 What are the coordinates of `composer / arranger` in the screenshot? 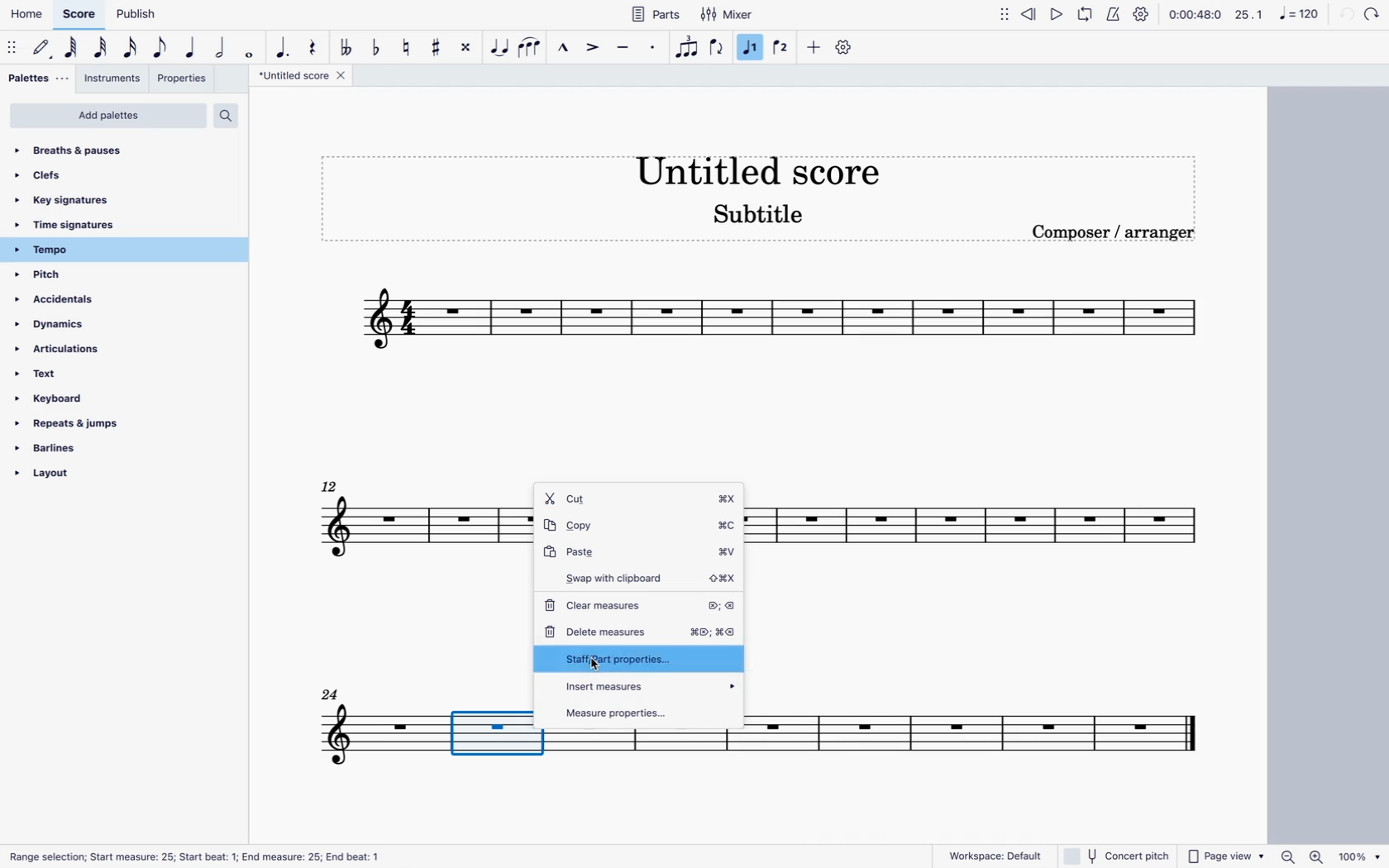 It's located at (1119, 236).